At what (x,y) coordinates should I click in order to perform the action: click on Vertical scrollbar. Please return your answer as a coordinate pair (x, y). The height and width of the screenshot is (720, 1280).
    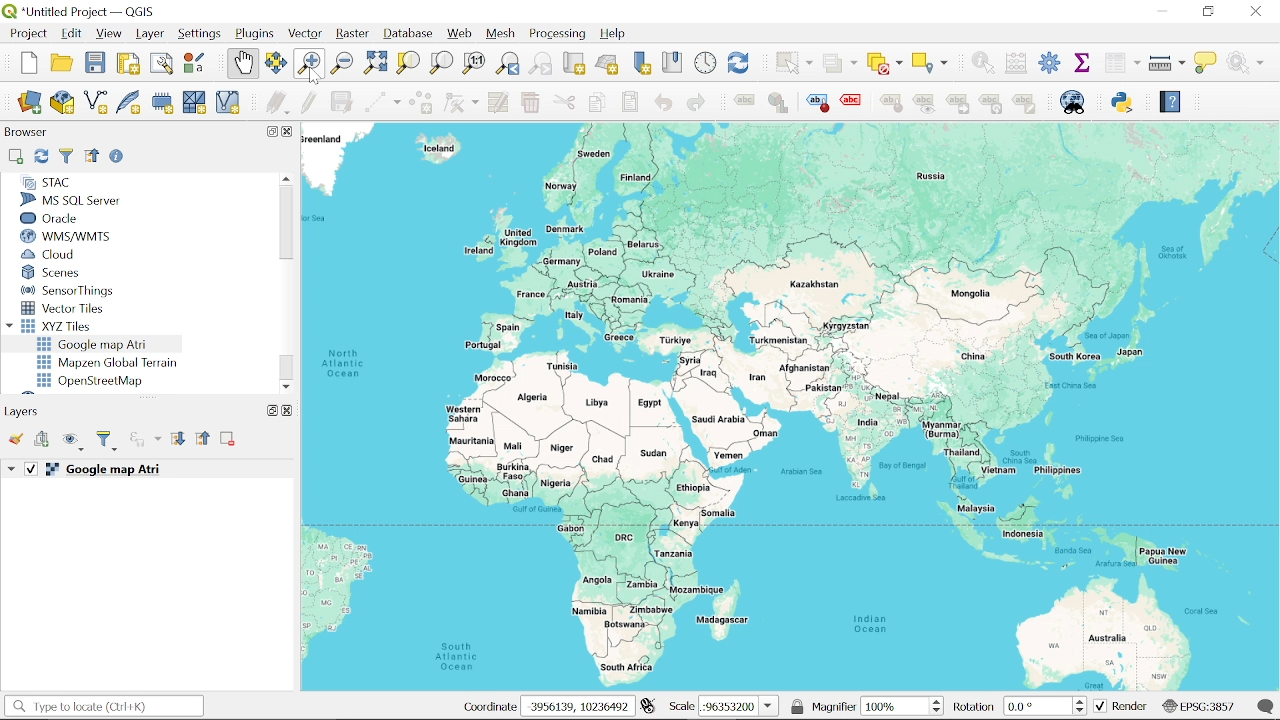
    Looking at the image, I should click on (285, 224).